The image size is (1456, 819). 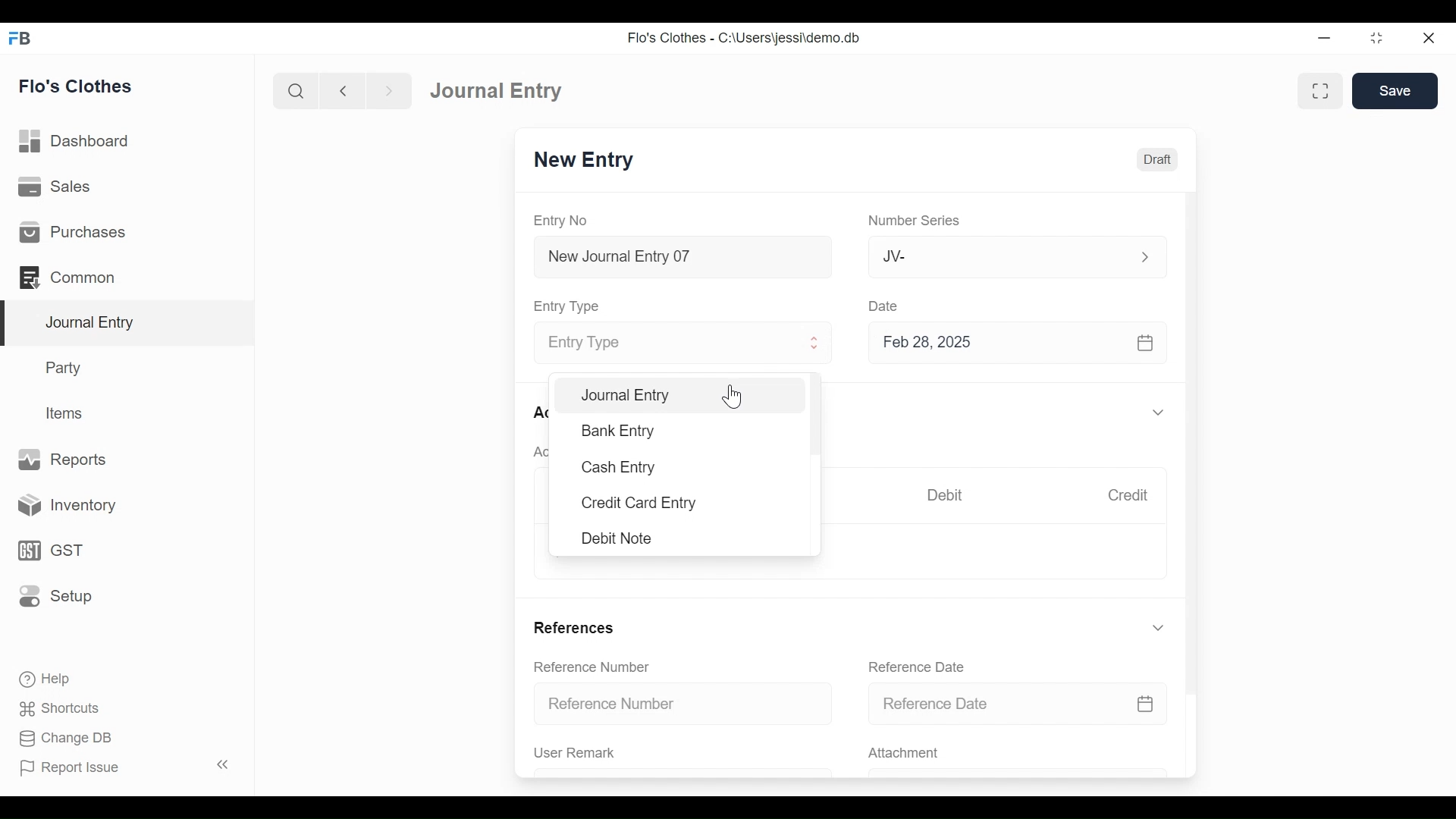 What do you see at coordinates (73, 231) in the screenshot?
I see `Purchases` at bounding box center [73, 231].